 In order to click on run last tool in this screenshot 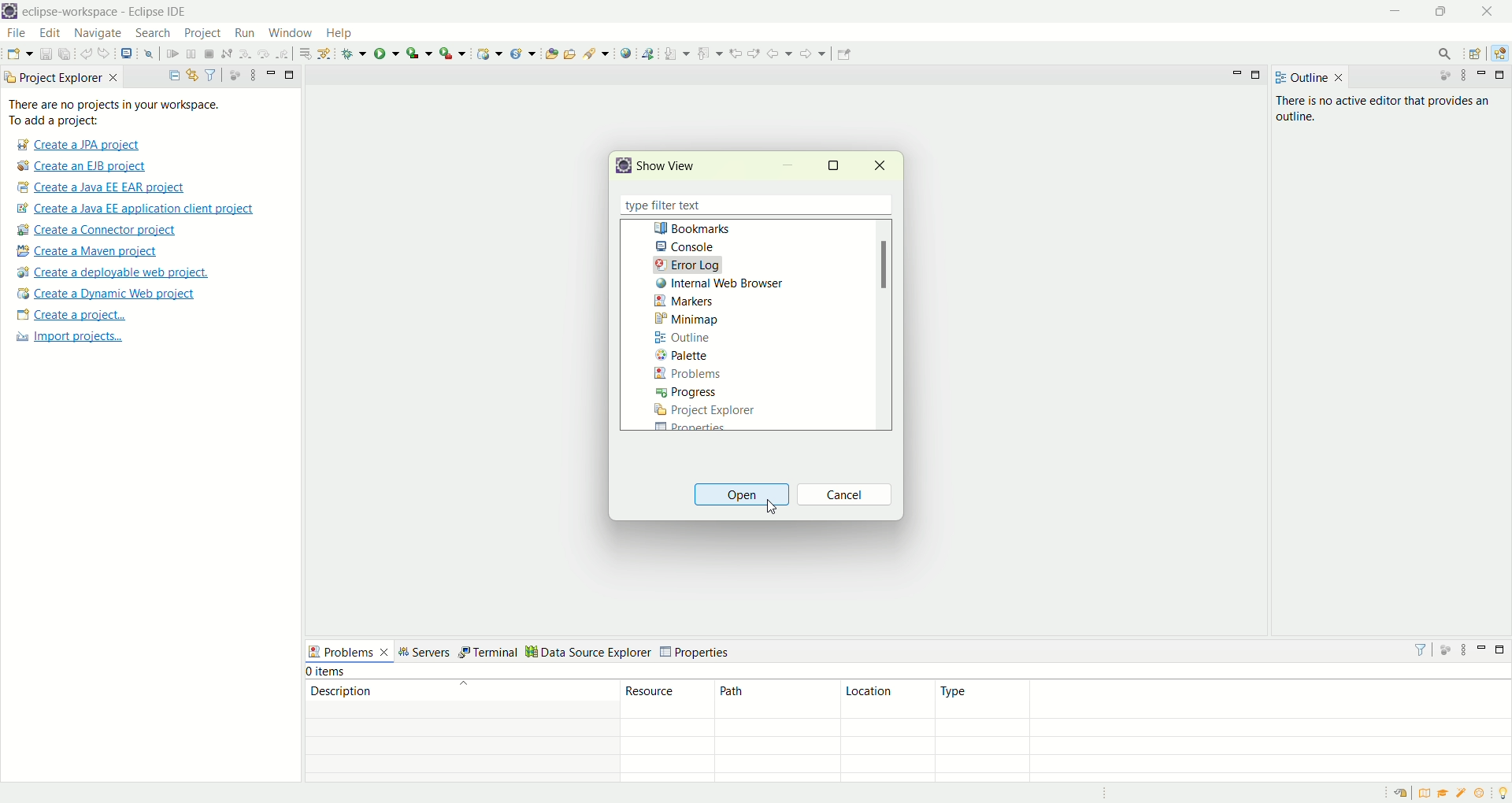, I will do `click(450, 53)`.